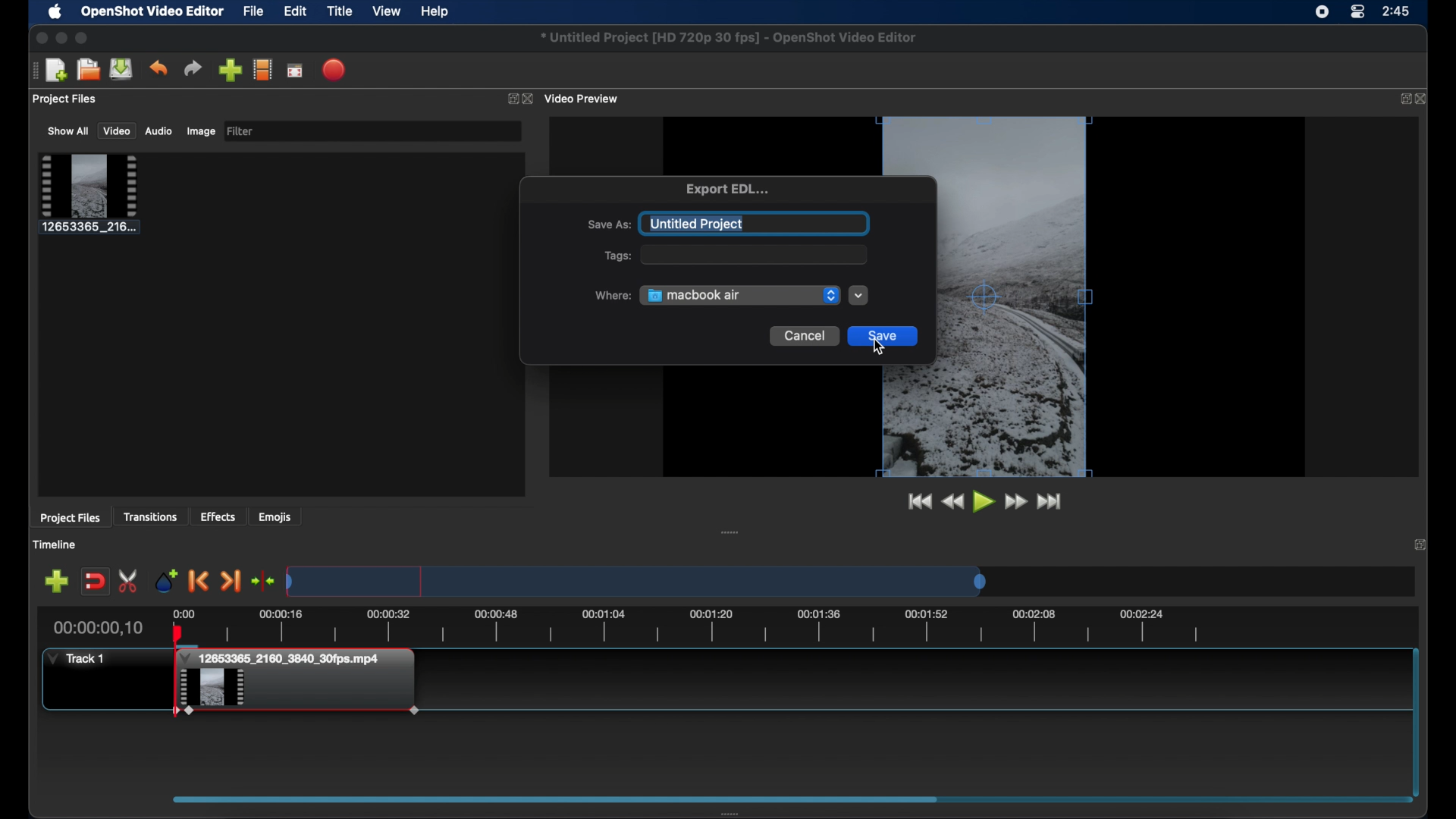 The image size is (1456, 819). I want to click on emojis, so click(276, 516).